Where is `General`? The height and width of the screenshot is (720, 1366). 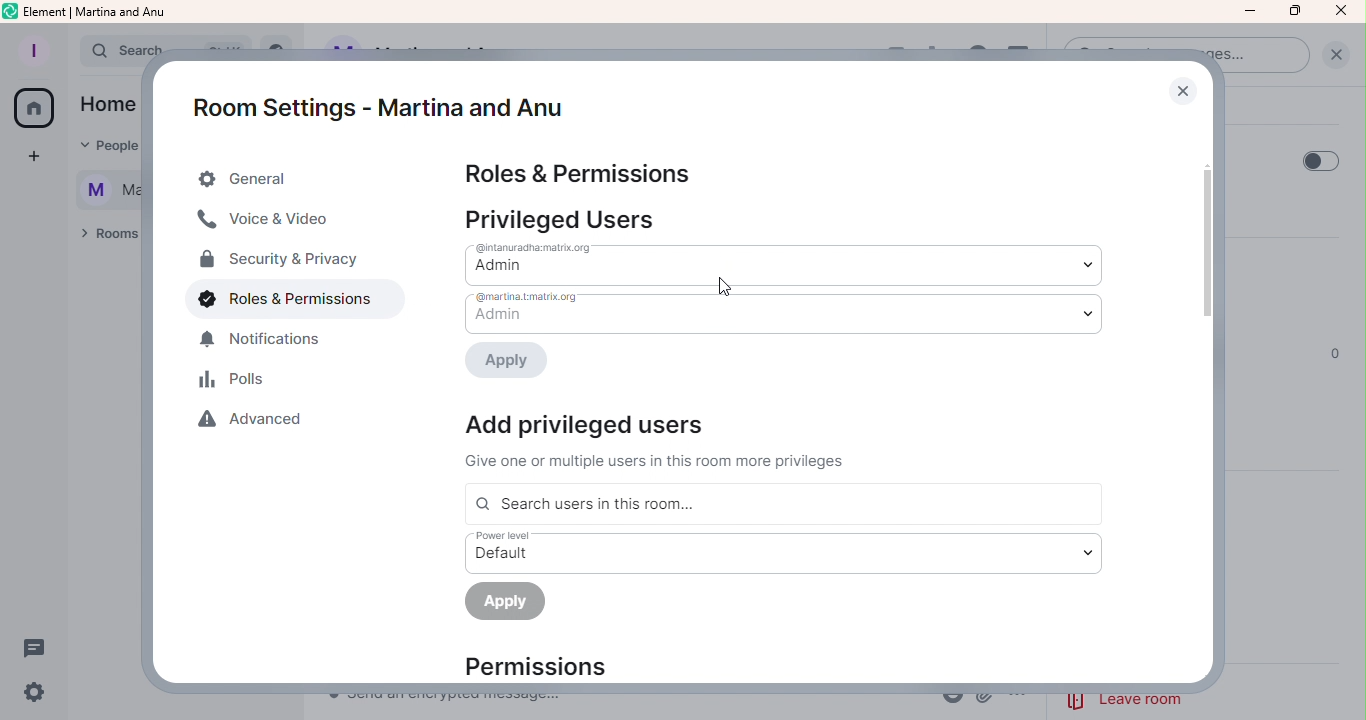
General is located at coordinates (285, 179).